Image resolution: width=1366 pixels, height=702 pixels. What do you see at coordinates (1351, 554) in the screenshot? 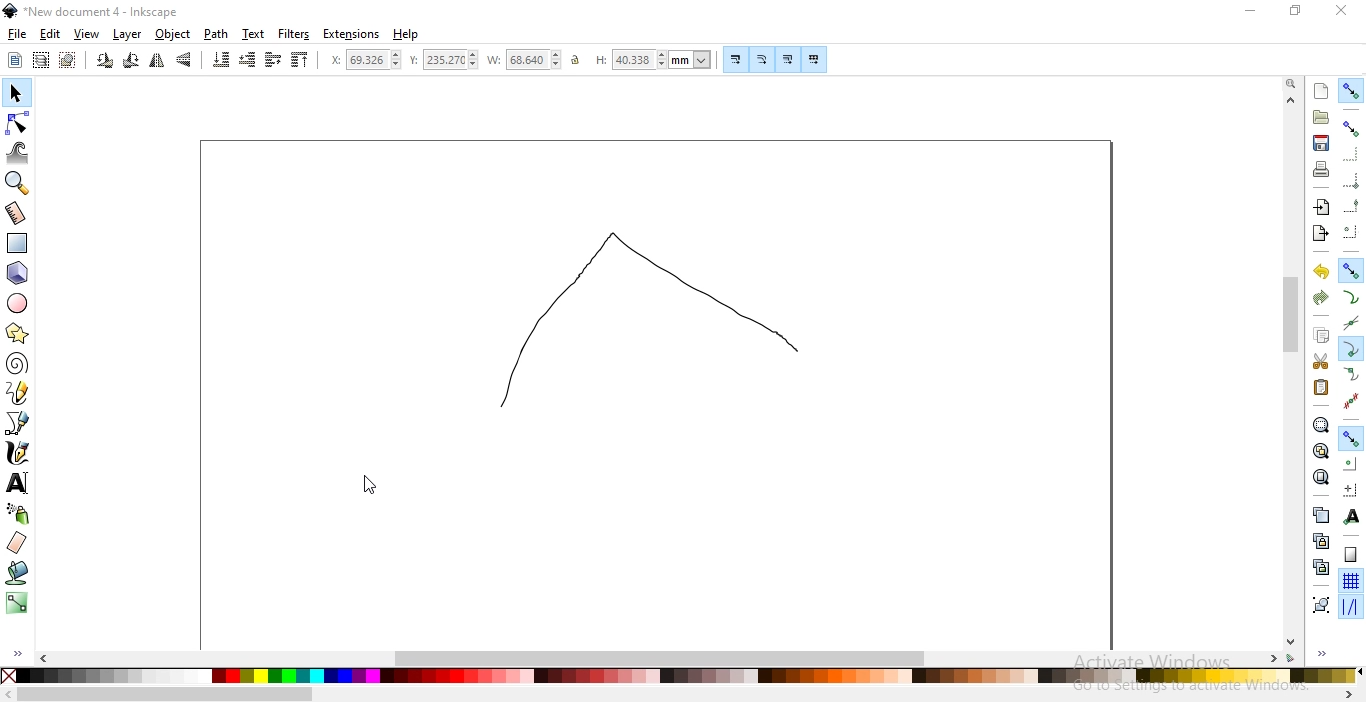
I see `` at bounding box center [1351, 554].